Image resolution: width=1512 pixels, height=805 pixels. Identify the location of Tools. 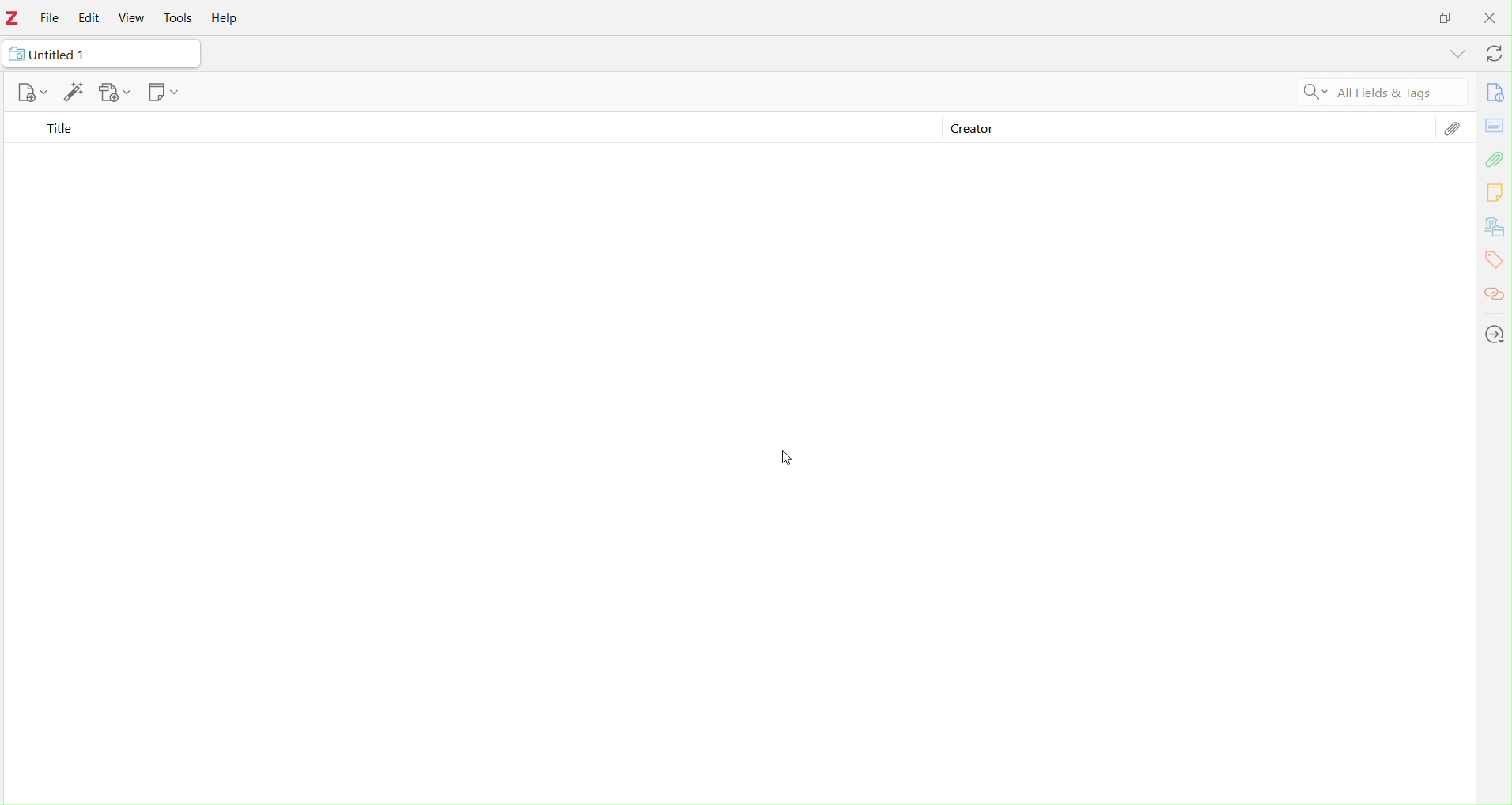
(182, 18).